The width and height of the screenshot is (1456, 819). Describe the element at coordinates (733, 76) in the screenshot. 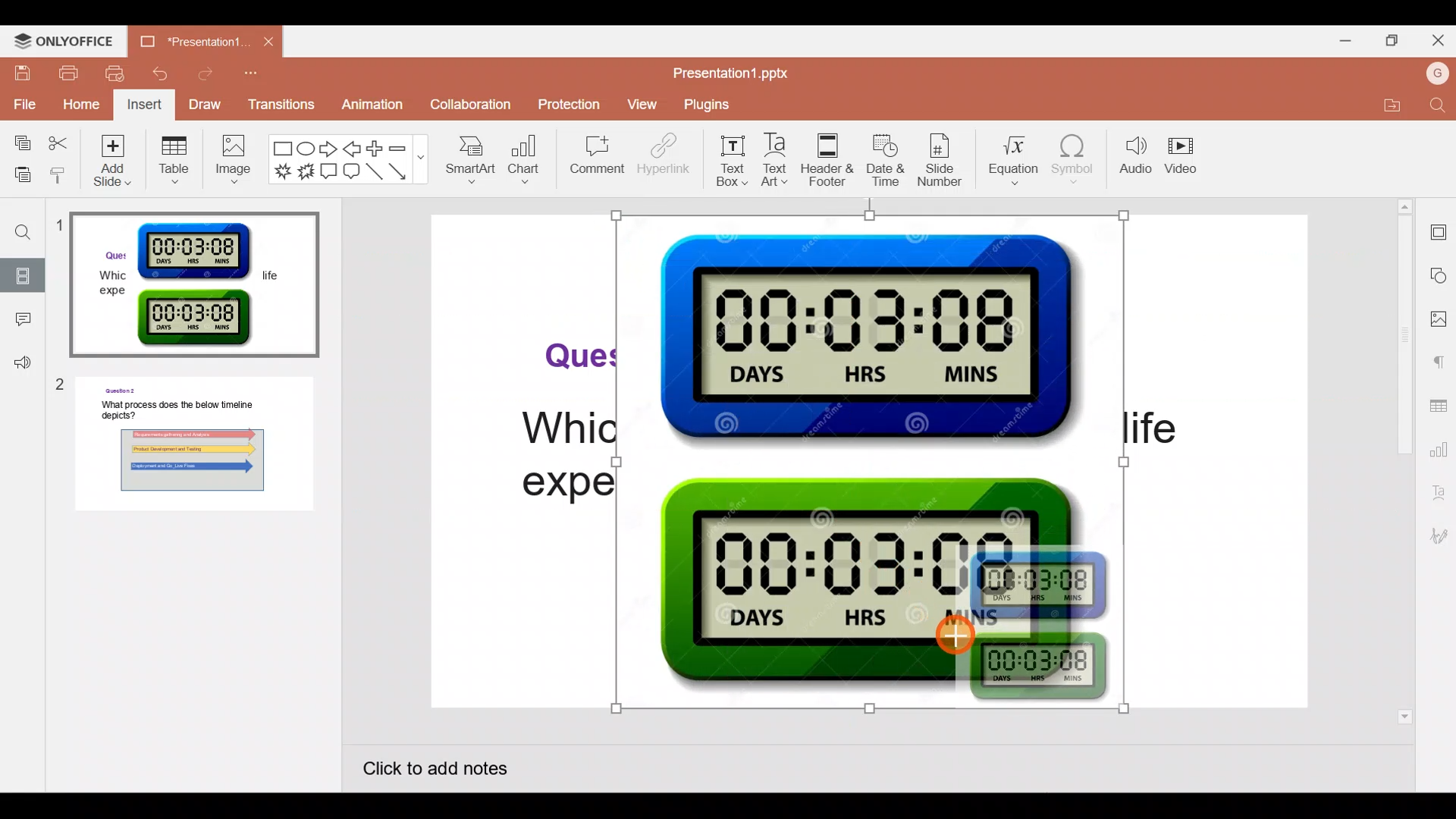

I see `Presentation1.pptx` at that location.